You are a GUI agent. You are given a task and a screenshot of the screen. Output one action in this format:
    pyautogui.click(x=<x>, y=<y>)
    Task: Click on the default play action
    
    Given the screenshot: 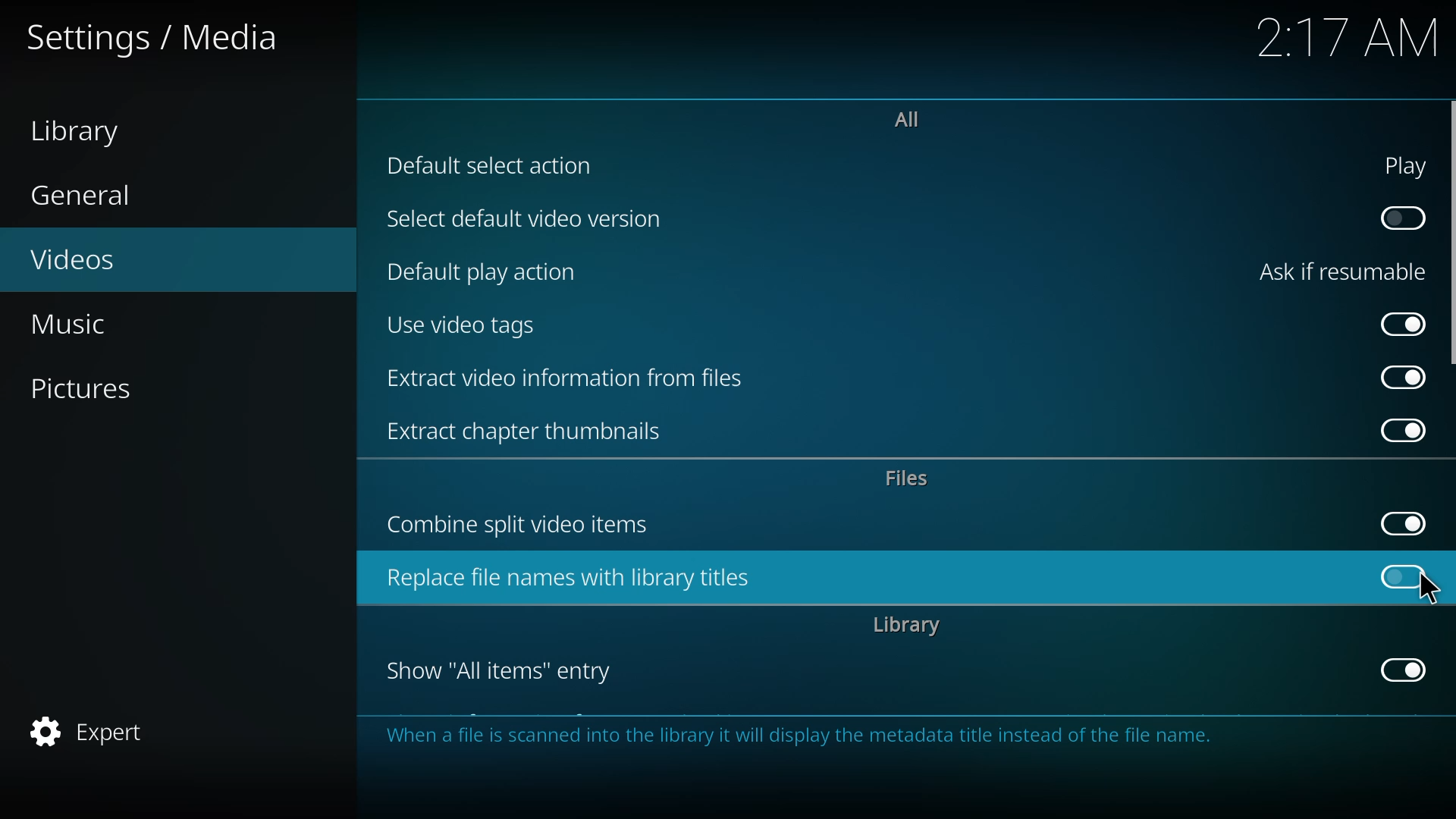 What is the action you would take?
    pyautogui.click(x=483, y=272)
    